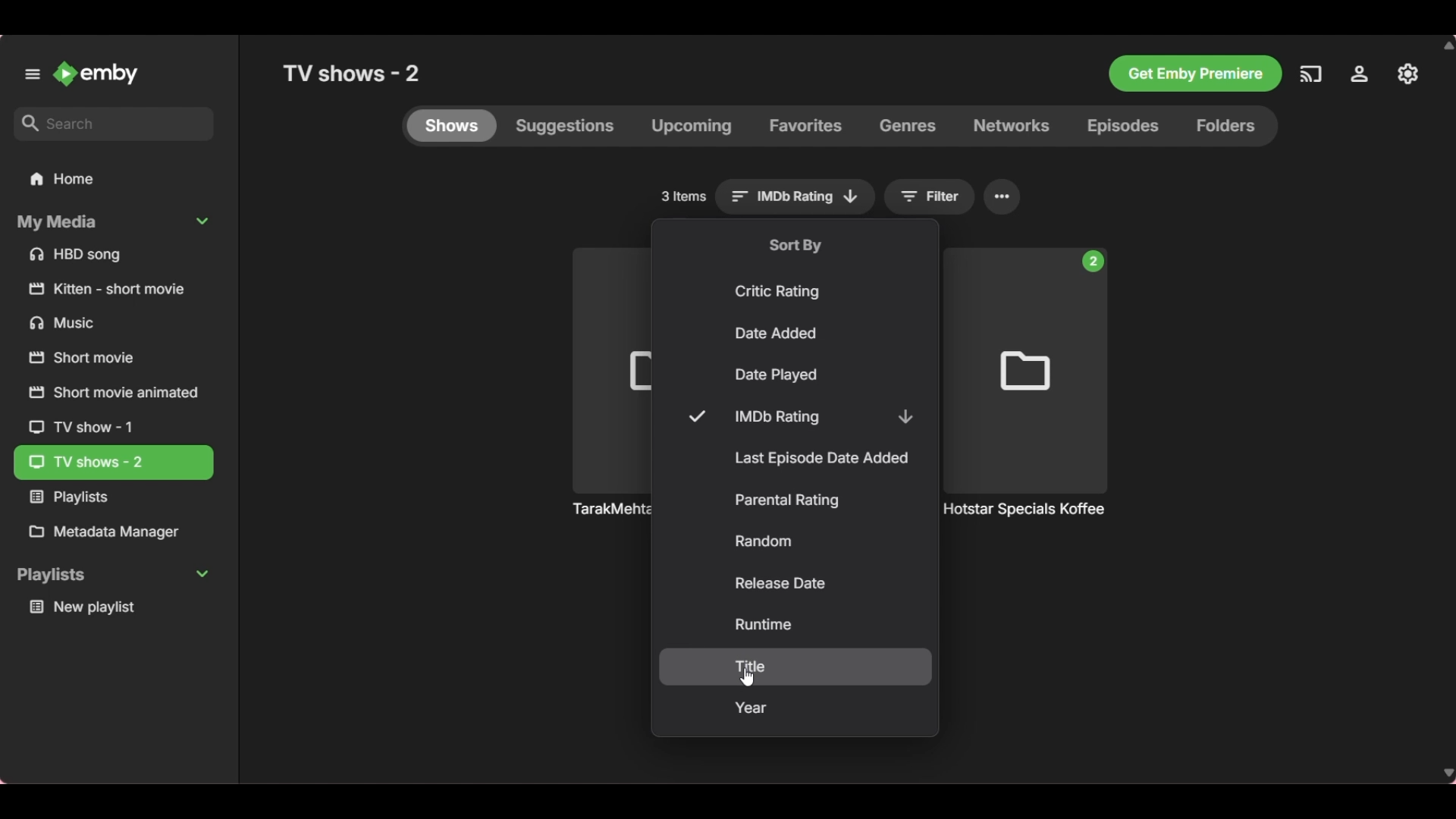 The image size is (1456, 819). I want to click on Sort by Critic Rating, so click(797, 290).